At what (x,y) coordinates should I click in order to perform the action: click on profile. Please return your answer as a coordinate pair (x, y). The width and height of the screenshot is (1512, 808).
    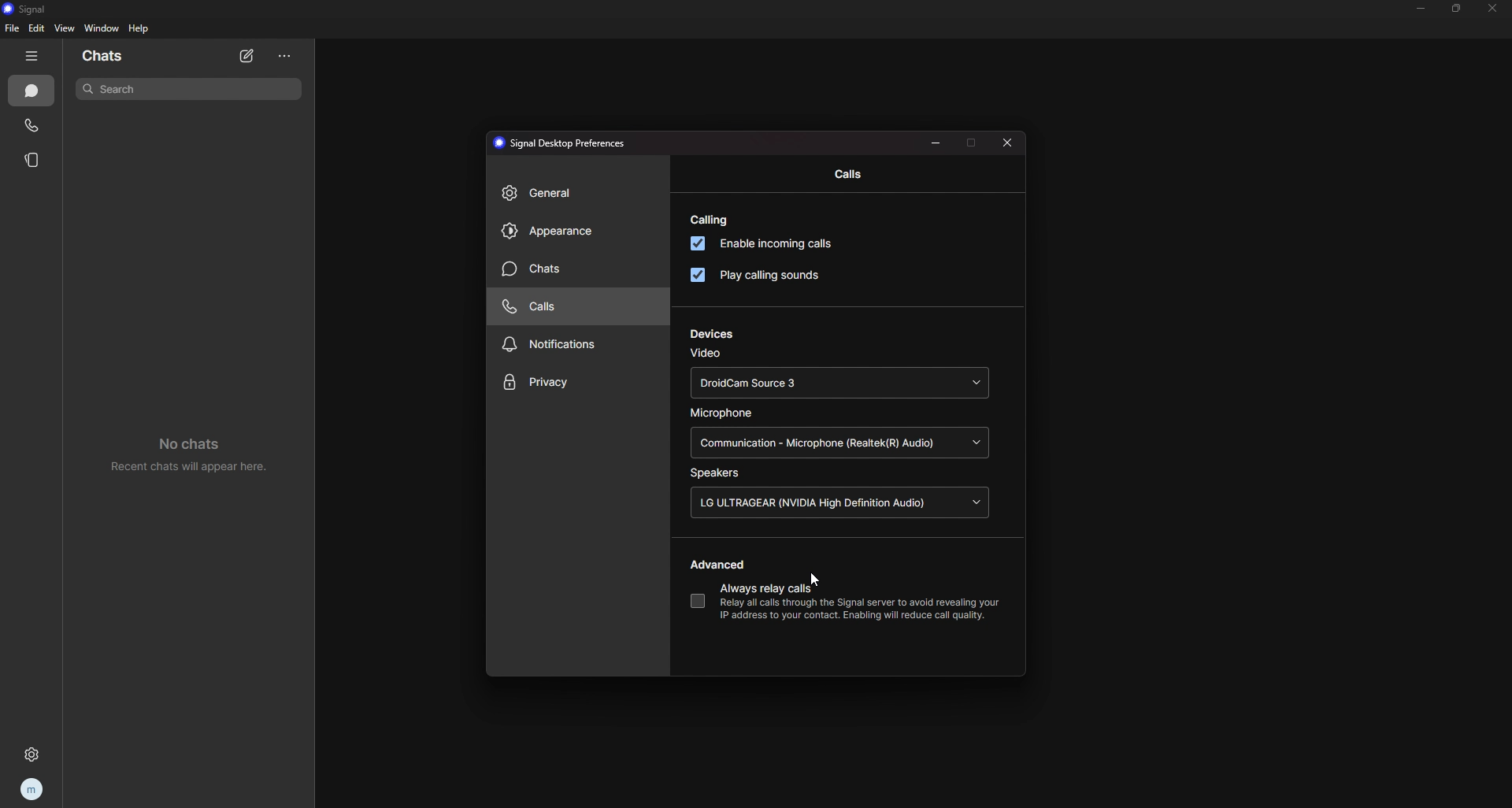
    Looking at the image, I should click on (33, 788).